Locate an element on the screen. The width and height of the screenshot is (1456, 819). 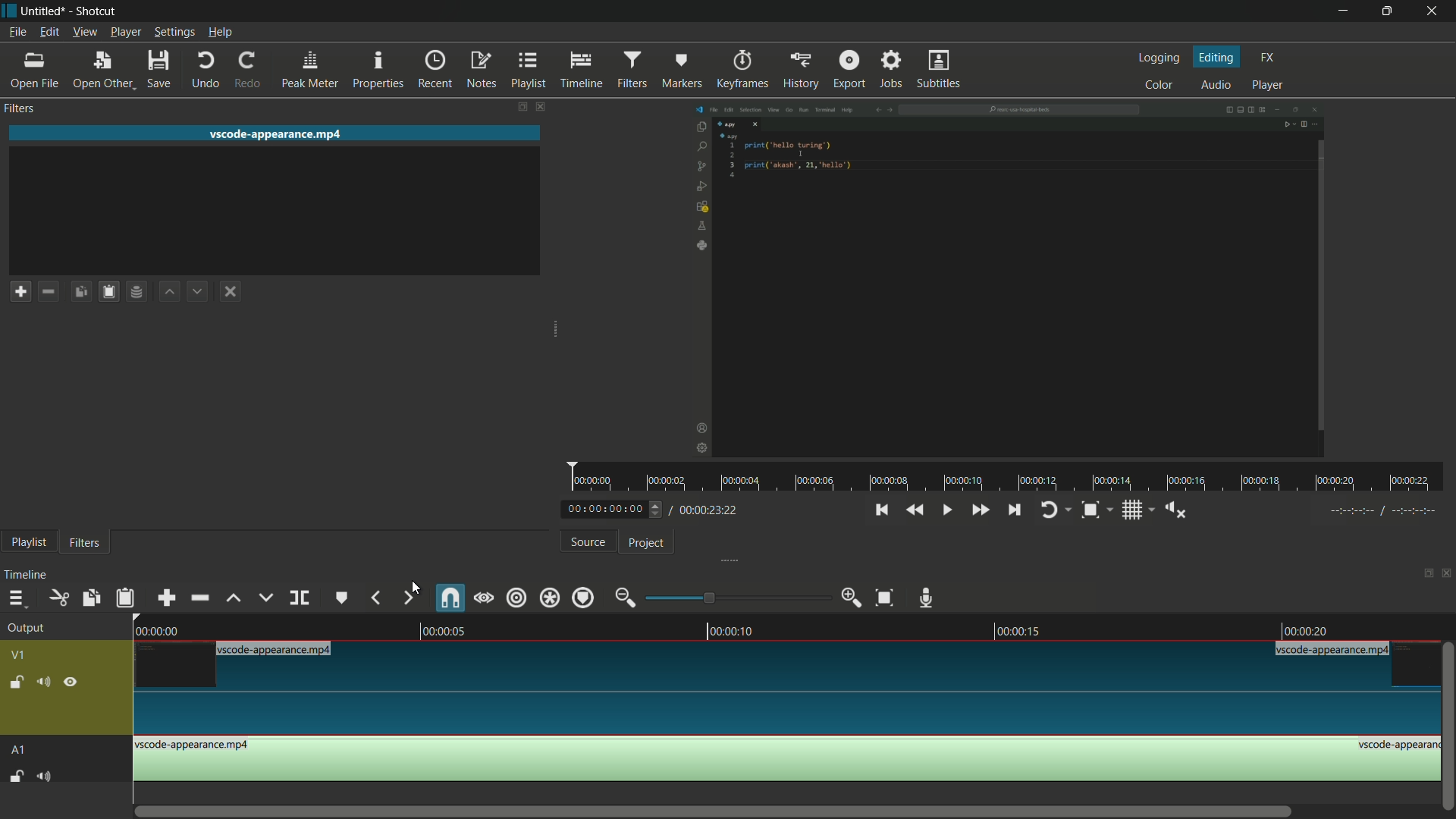
editing is located at coordinates (1217, 58).